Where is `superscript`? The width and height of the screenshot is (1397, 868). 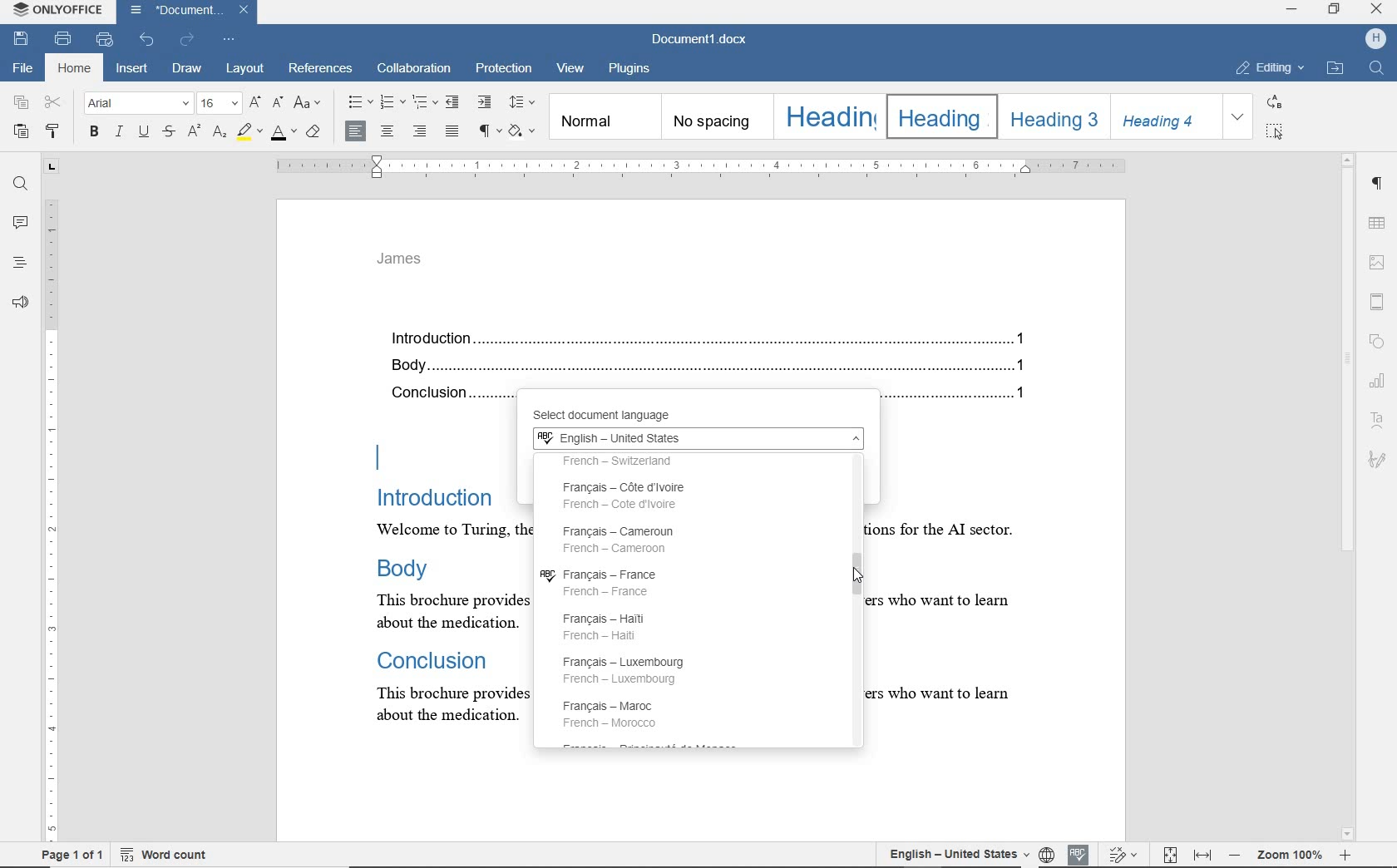 superscript is located at coordinates (193, 131).